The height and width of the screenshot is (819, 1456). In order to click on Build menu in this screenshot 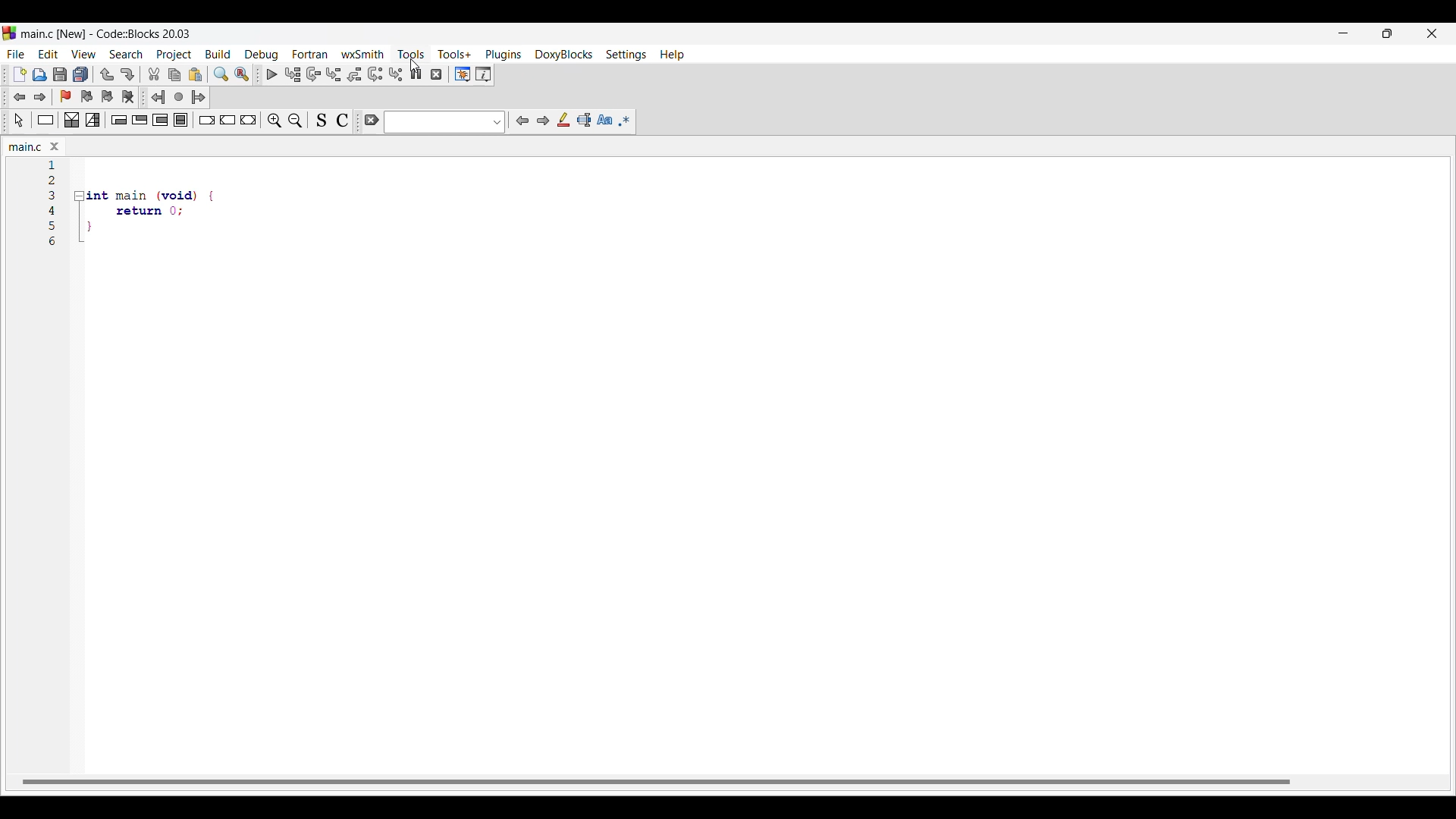, I will do `click(218, 54)`.